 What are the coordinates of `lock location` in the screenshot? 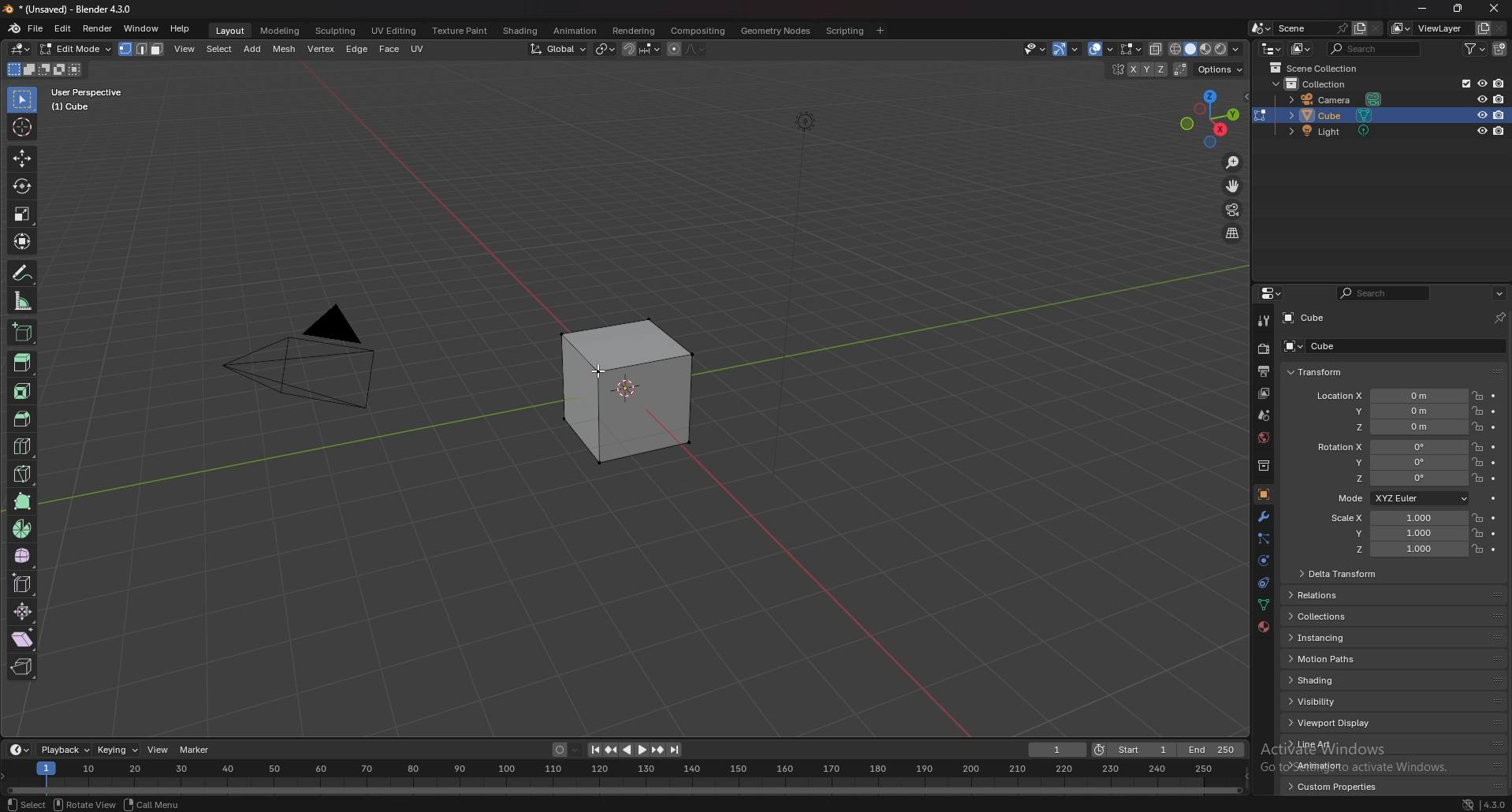 It's located at (1478, 410).